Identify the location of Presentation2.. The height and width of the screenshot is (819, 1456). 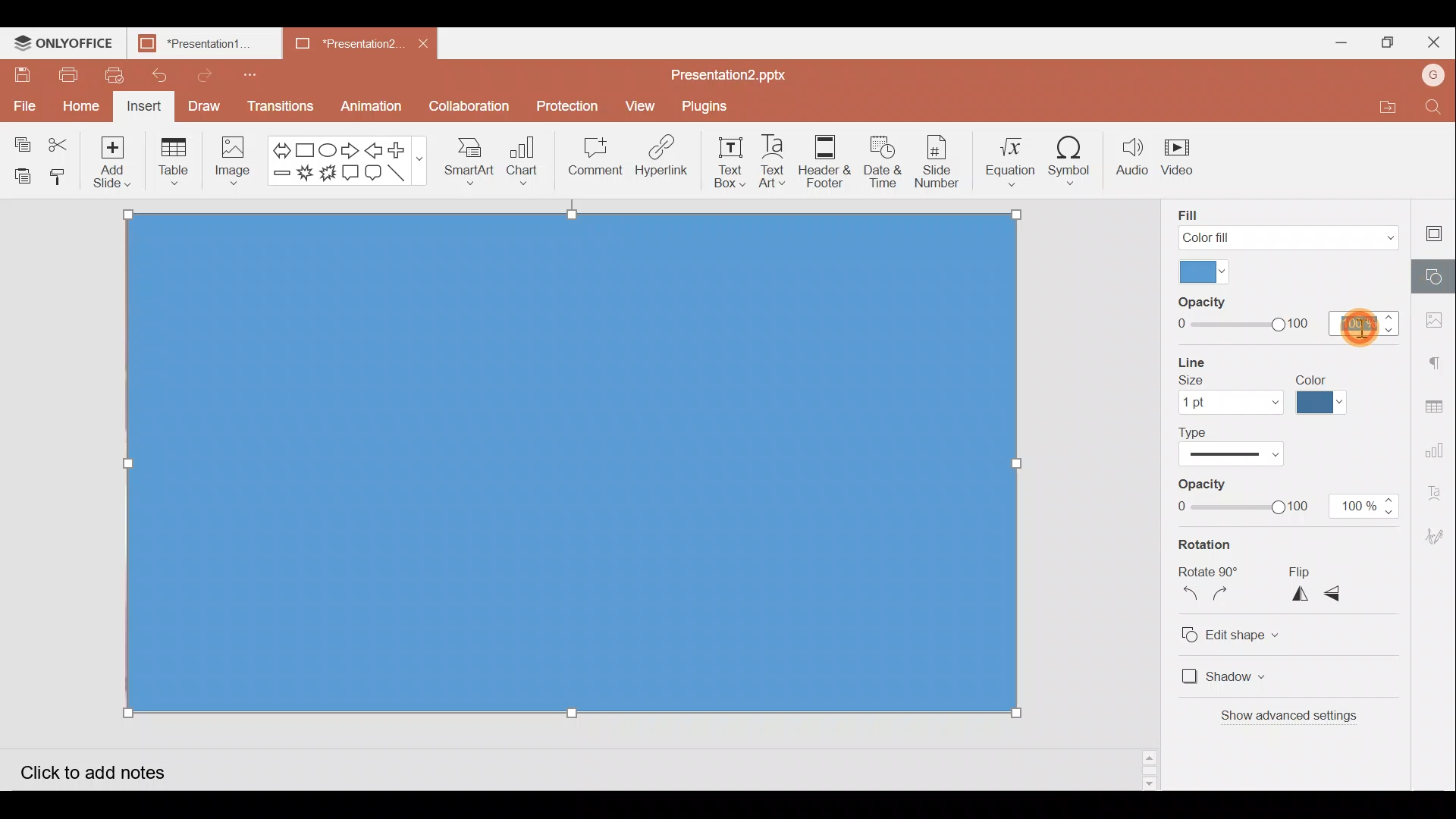
(341, 44).